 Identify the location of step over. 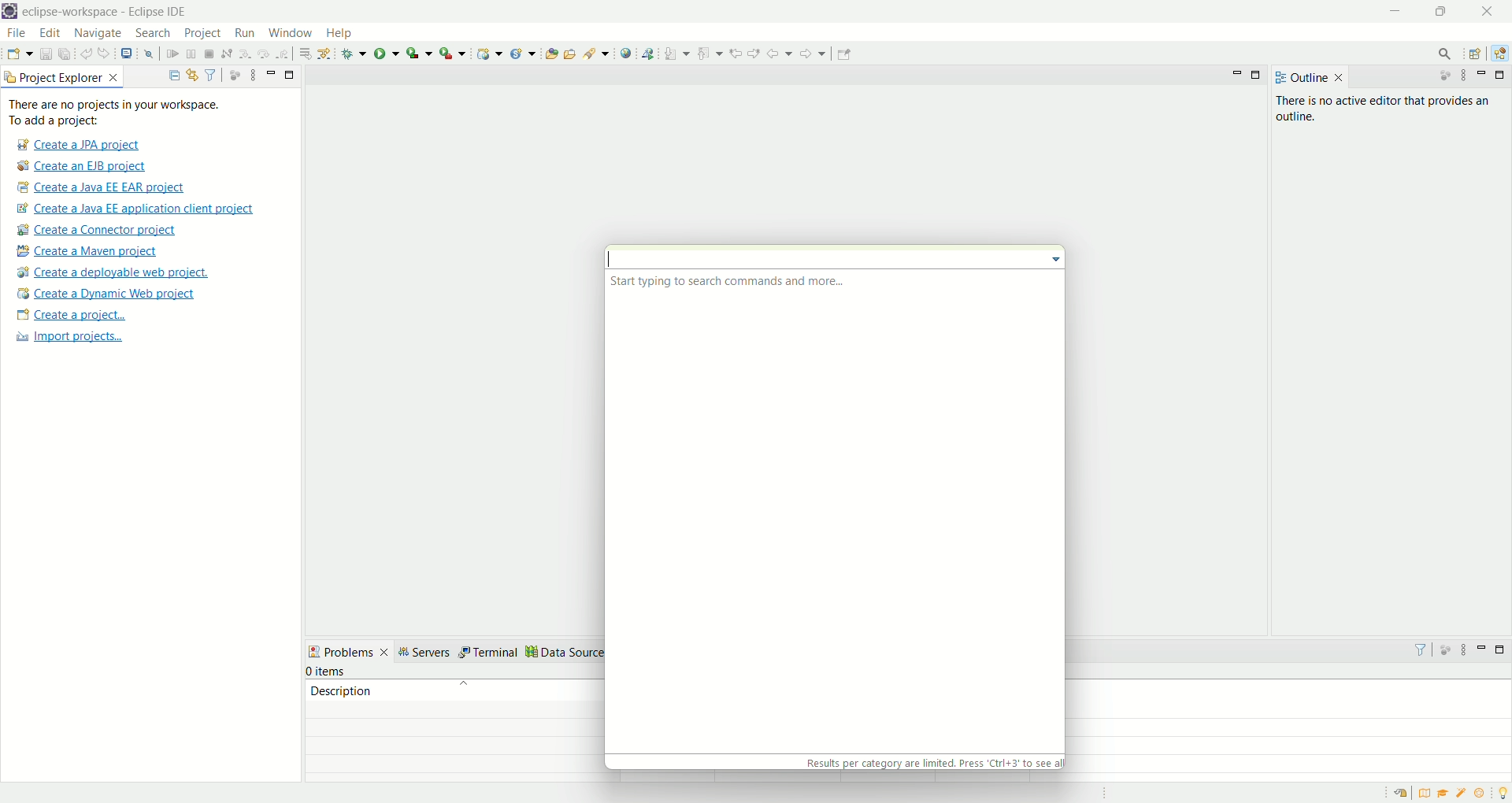
(262, 54).